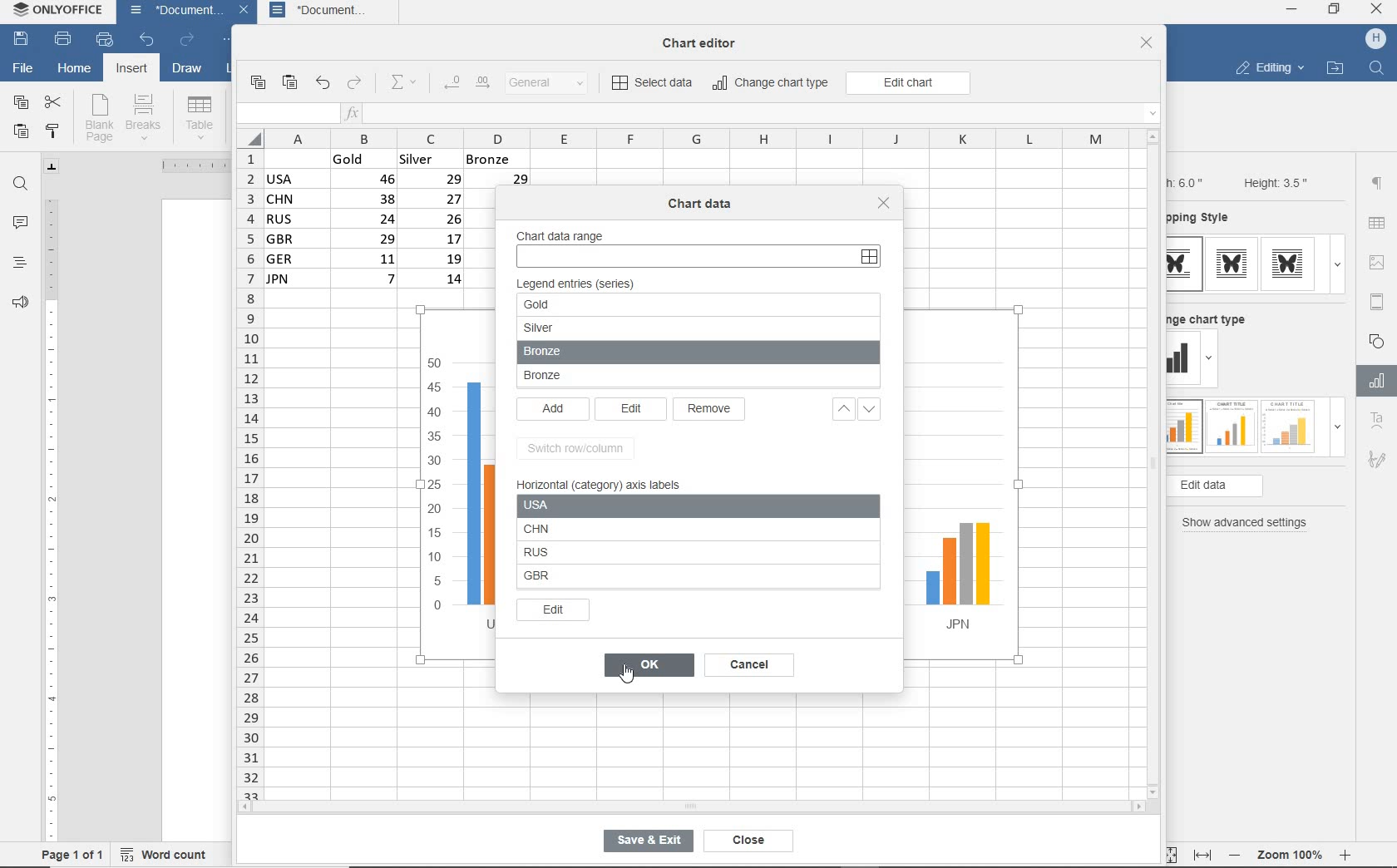 The height and width of the screenshot is (868, 1397). What do you see at coordinates (908, 83) in the screenshot?
I see `edit chart` at bounding box center [908, 83].